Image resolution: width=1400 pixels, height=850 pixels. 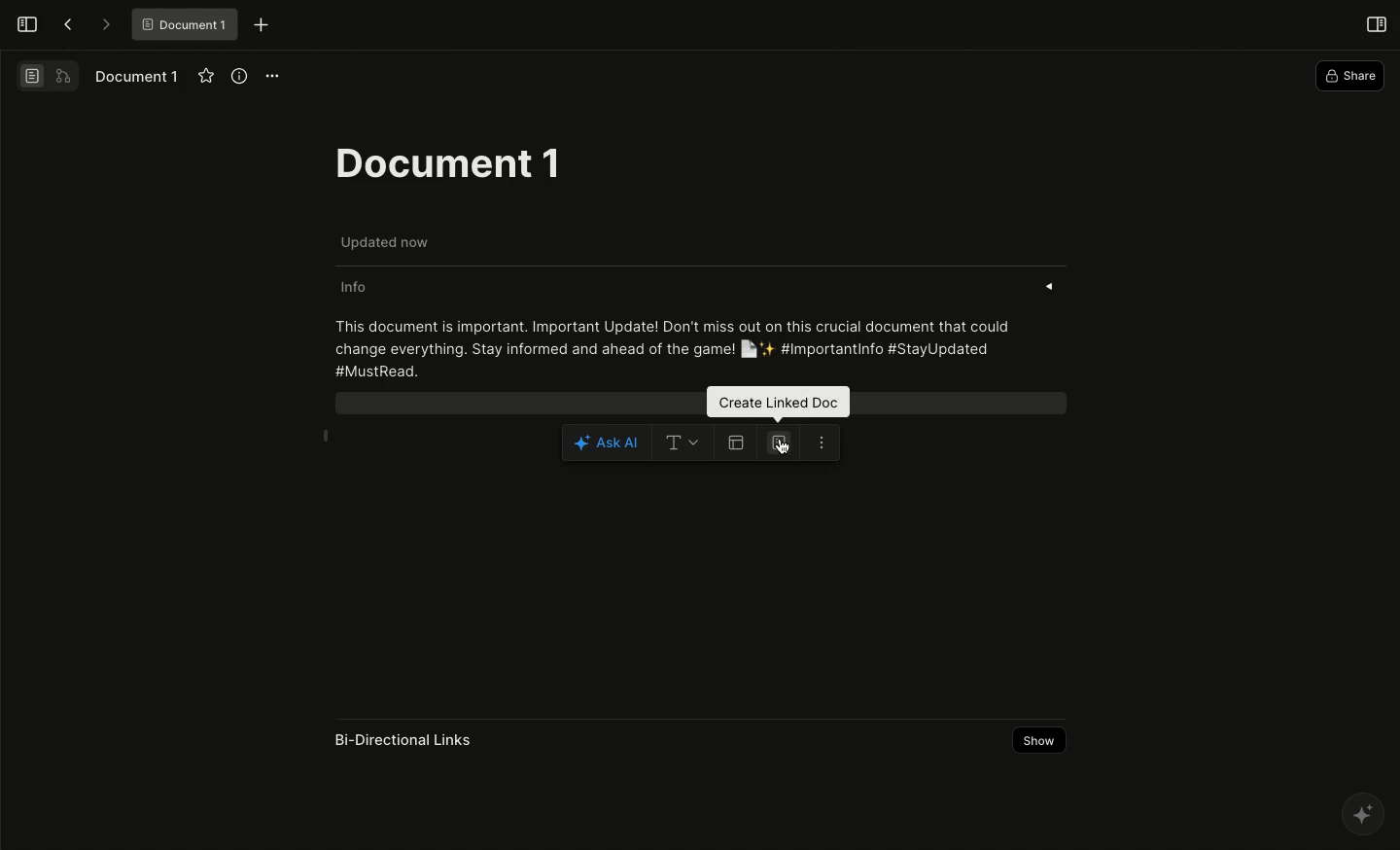 I want to click on View info, so click(x=236, y=77).